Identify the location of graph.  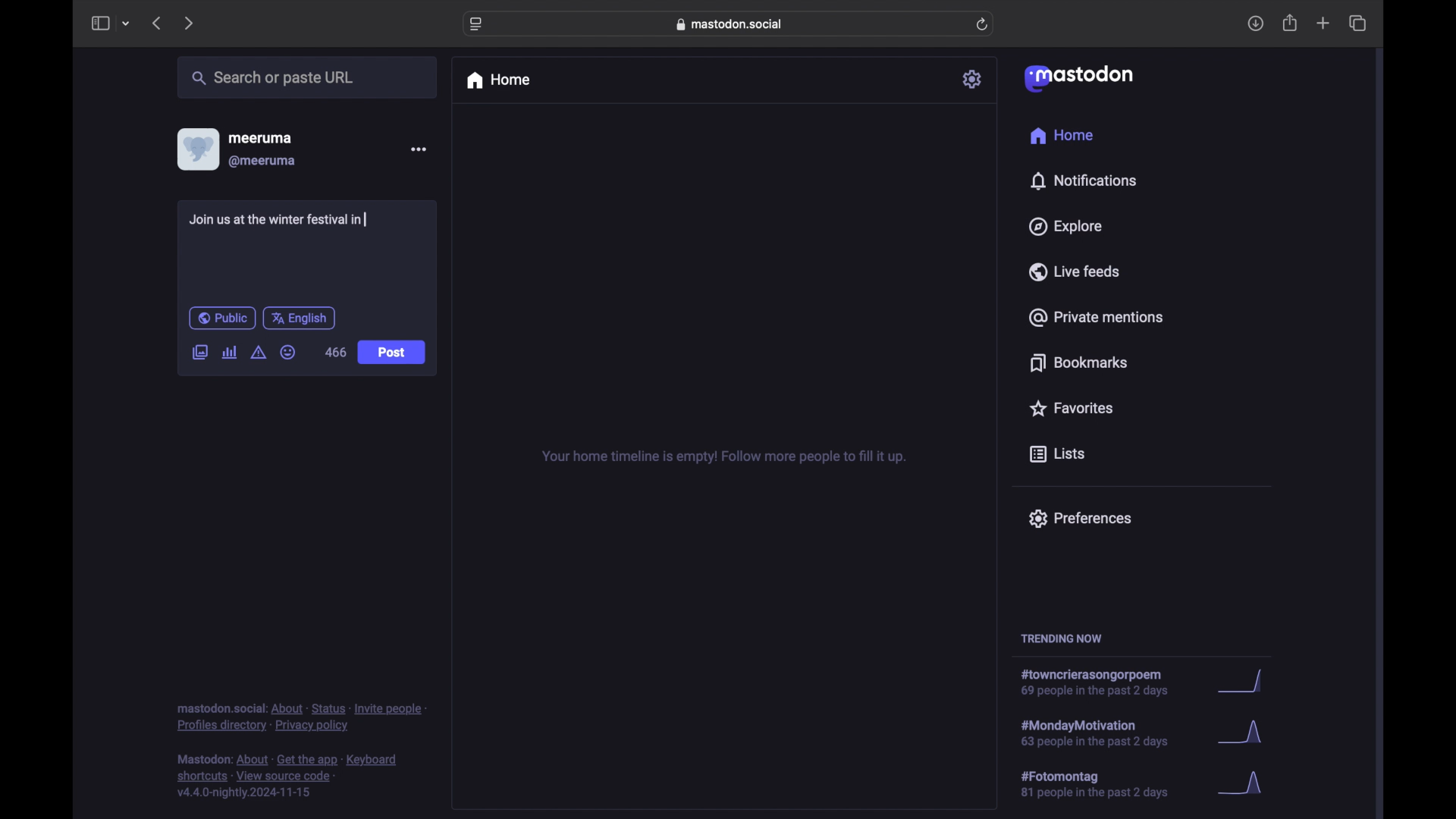
(1245, 784).